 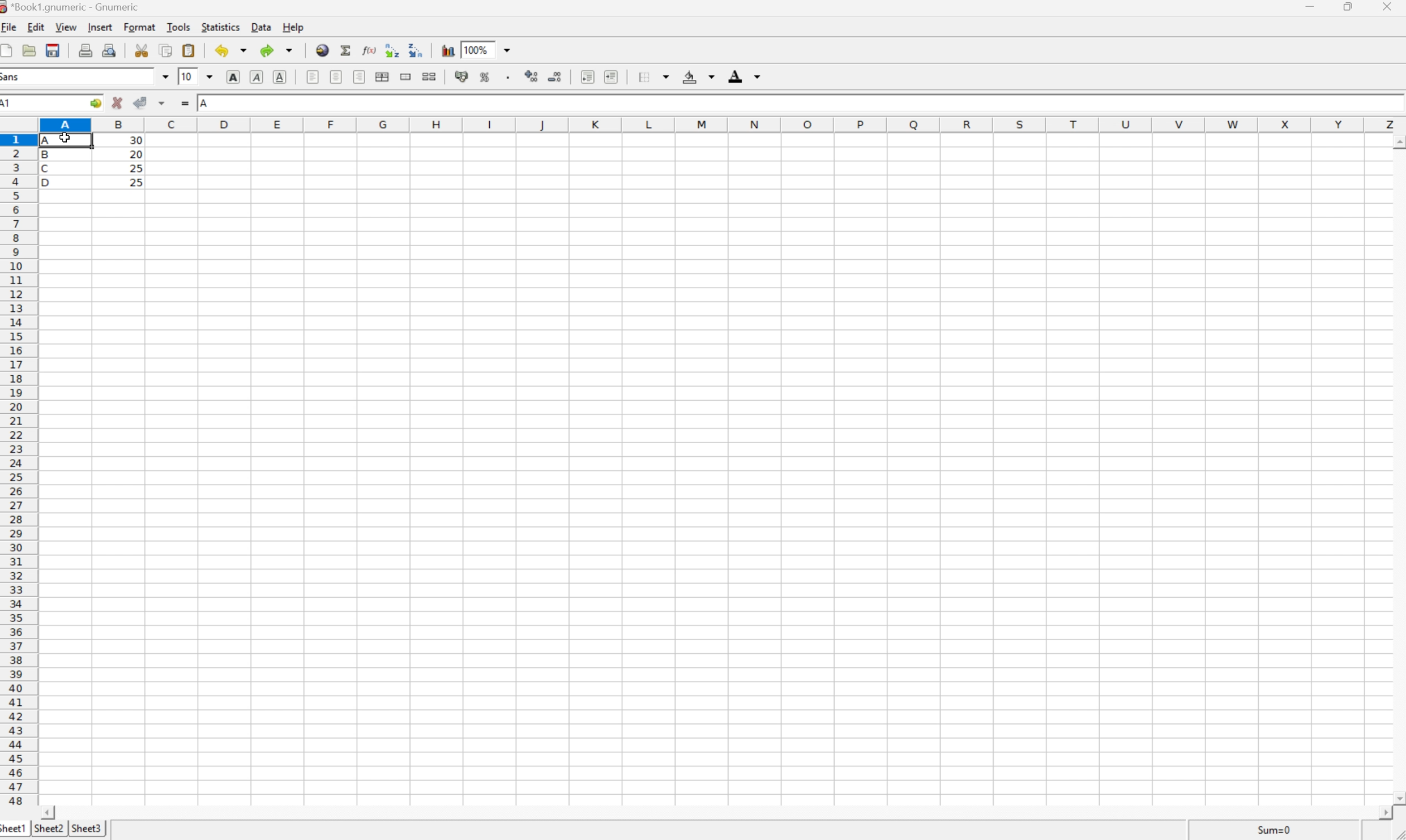 I want to click on 10, so click(x=187, y=76).